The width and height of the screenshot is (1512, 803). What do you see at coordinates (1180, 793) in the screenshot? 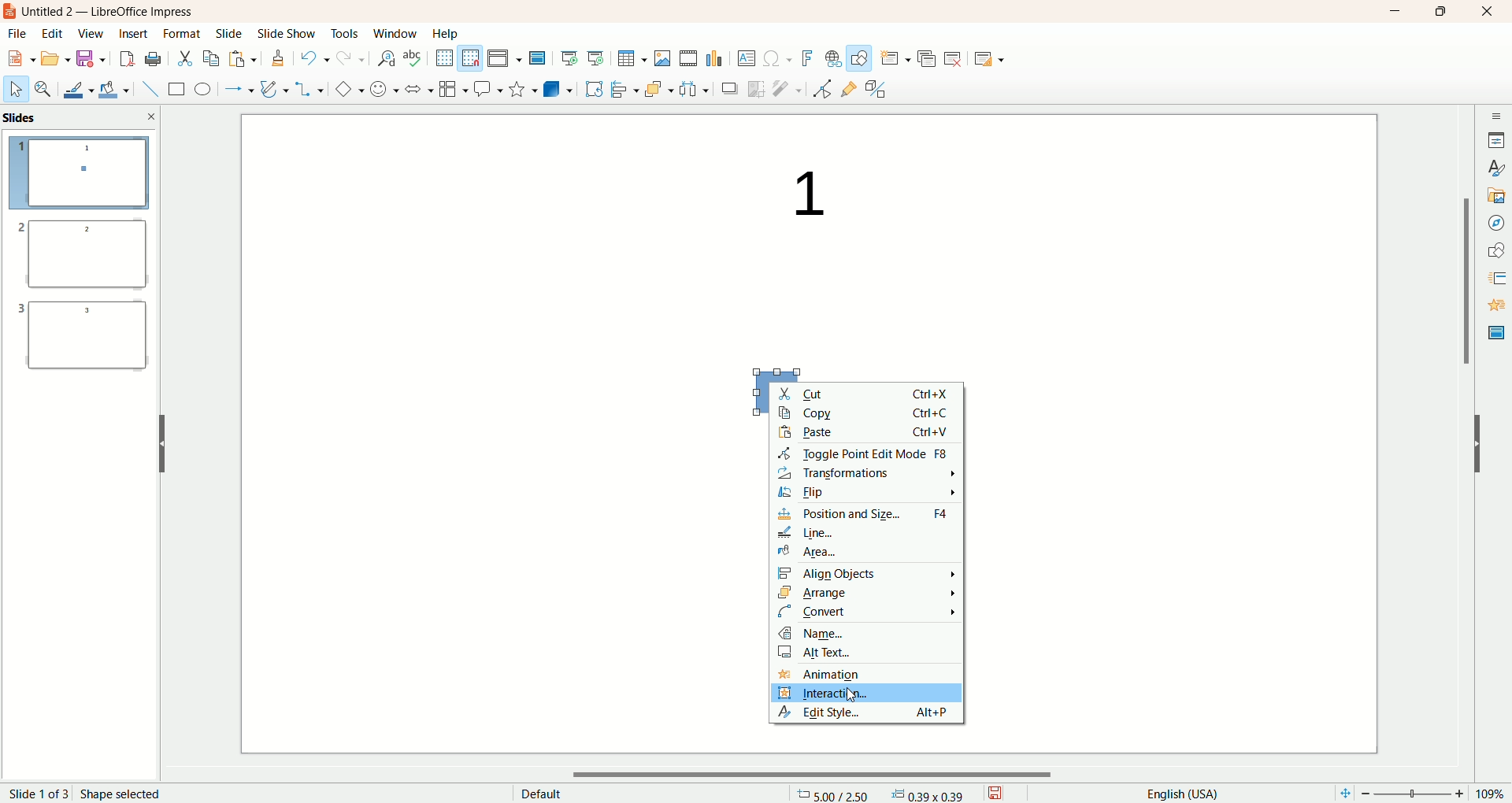
I see `english` at bounding box center [1180, 793].